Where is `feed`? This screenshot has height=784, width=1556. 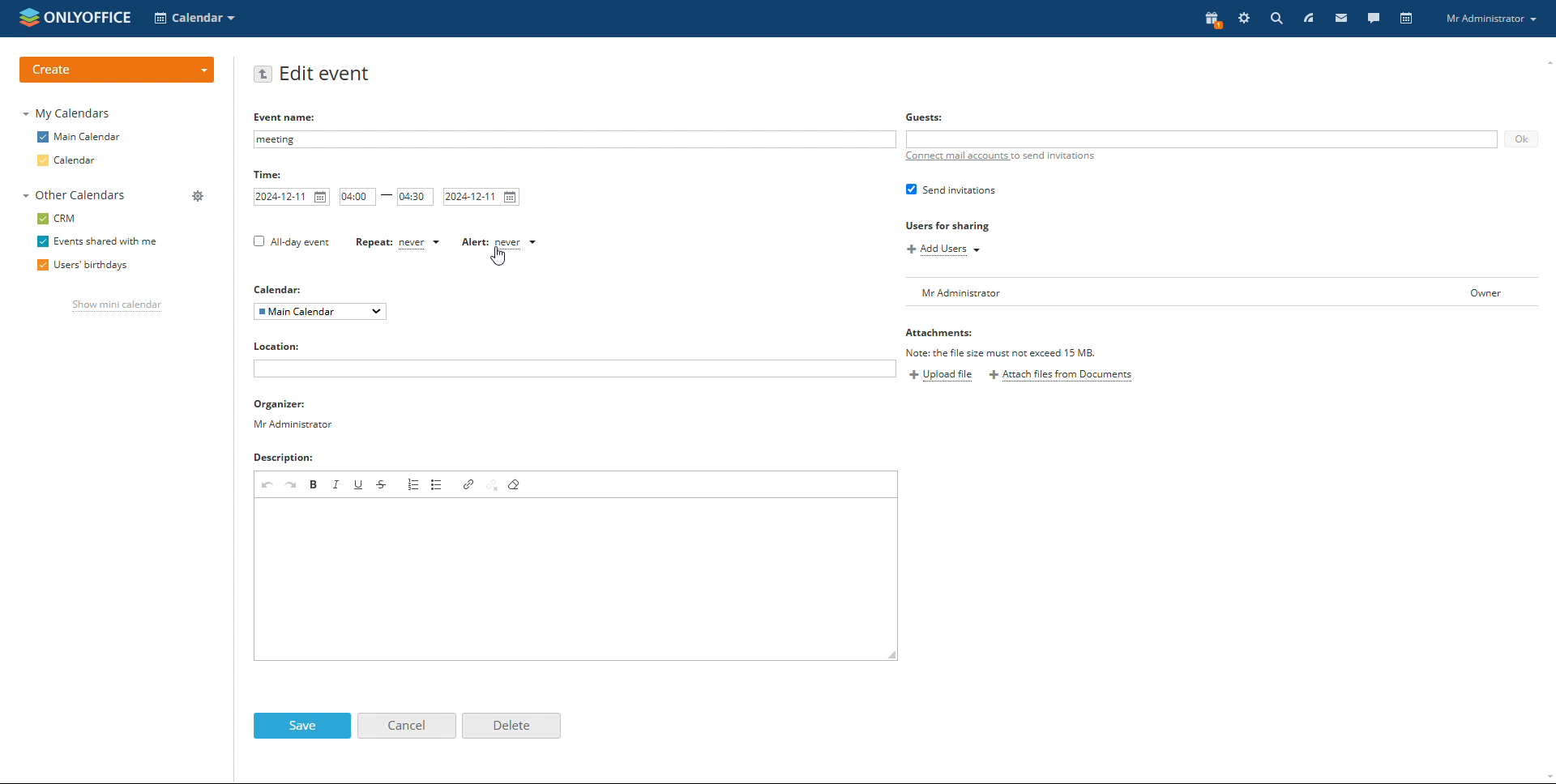
feed is located at coordinates (1310, 17).